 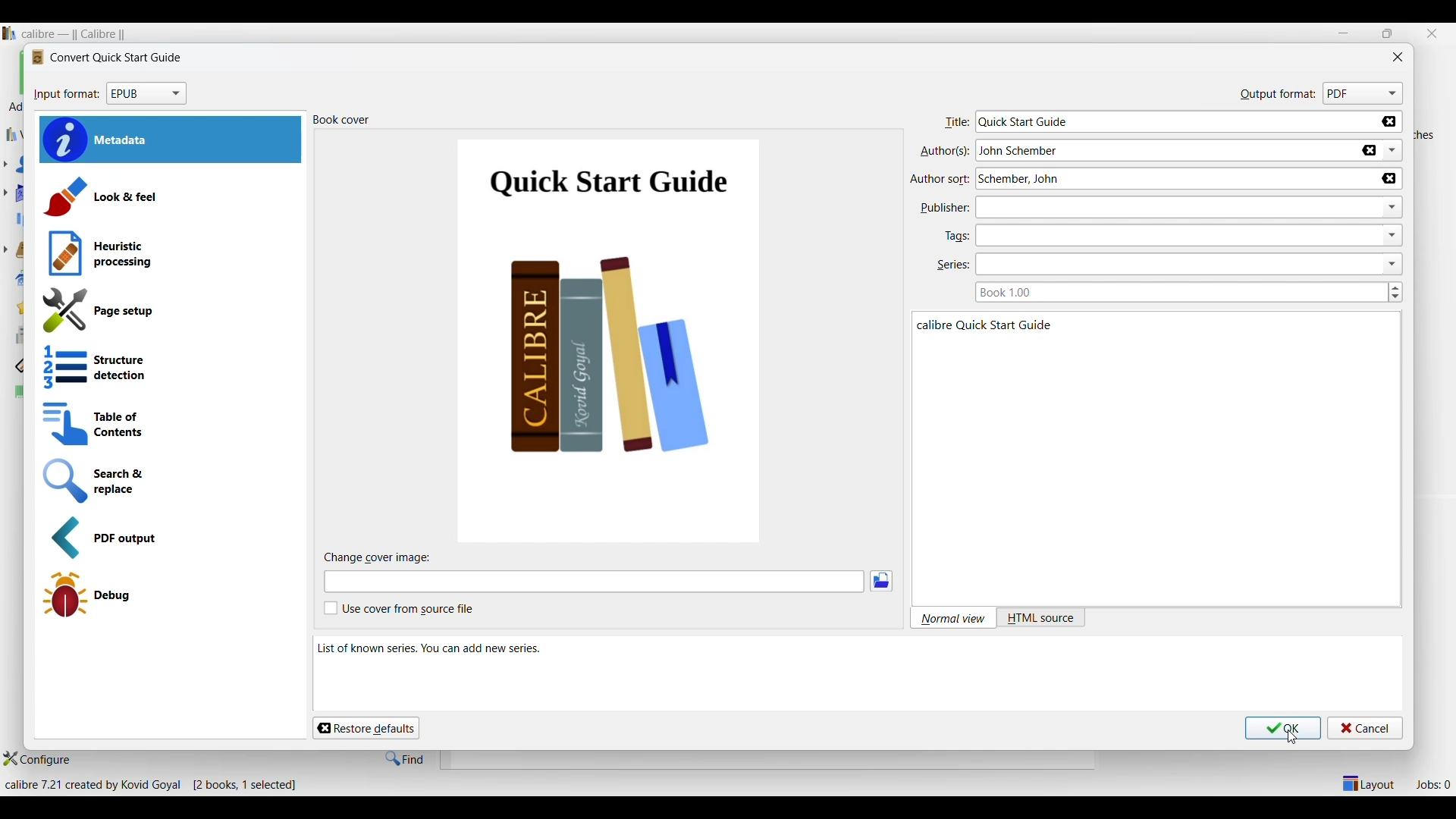 I want to click on Debug, so click(x=169, y=595).